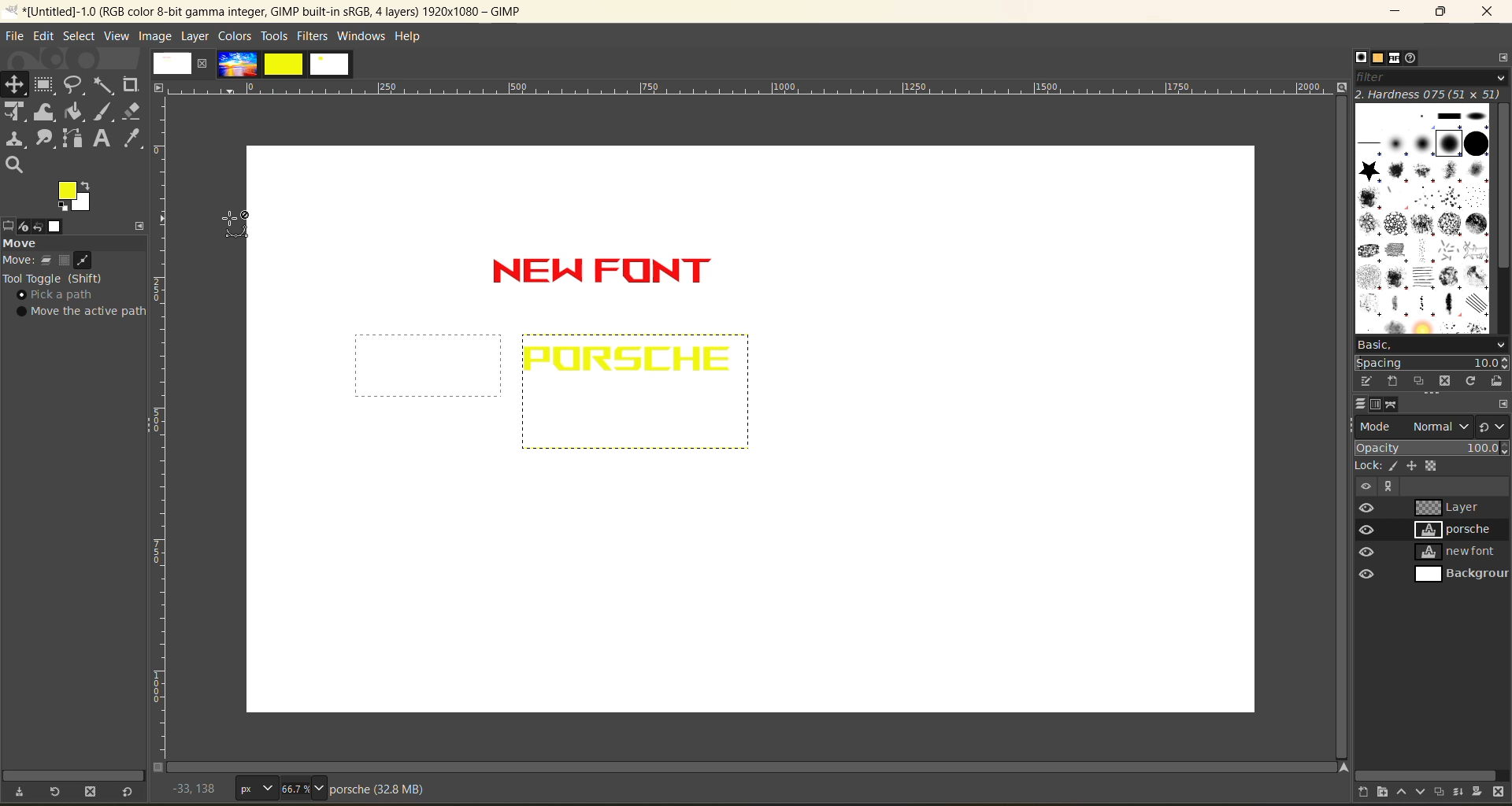 The height and width of the screenshot is (806, 1512). What do you see at coordinates (274, 37) in the screenshot?
I see `tools` at bounding box center [274, 37].